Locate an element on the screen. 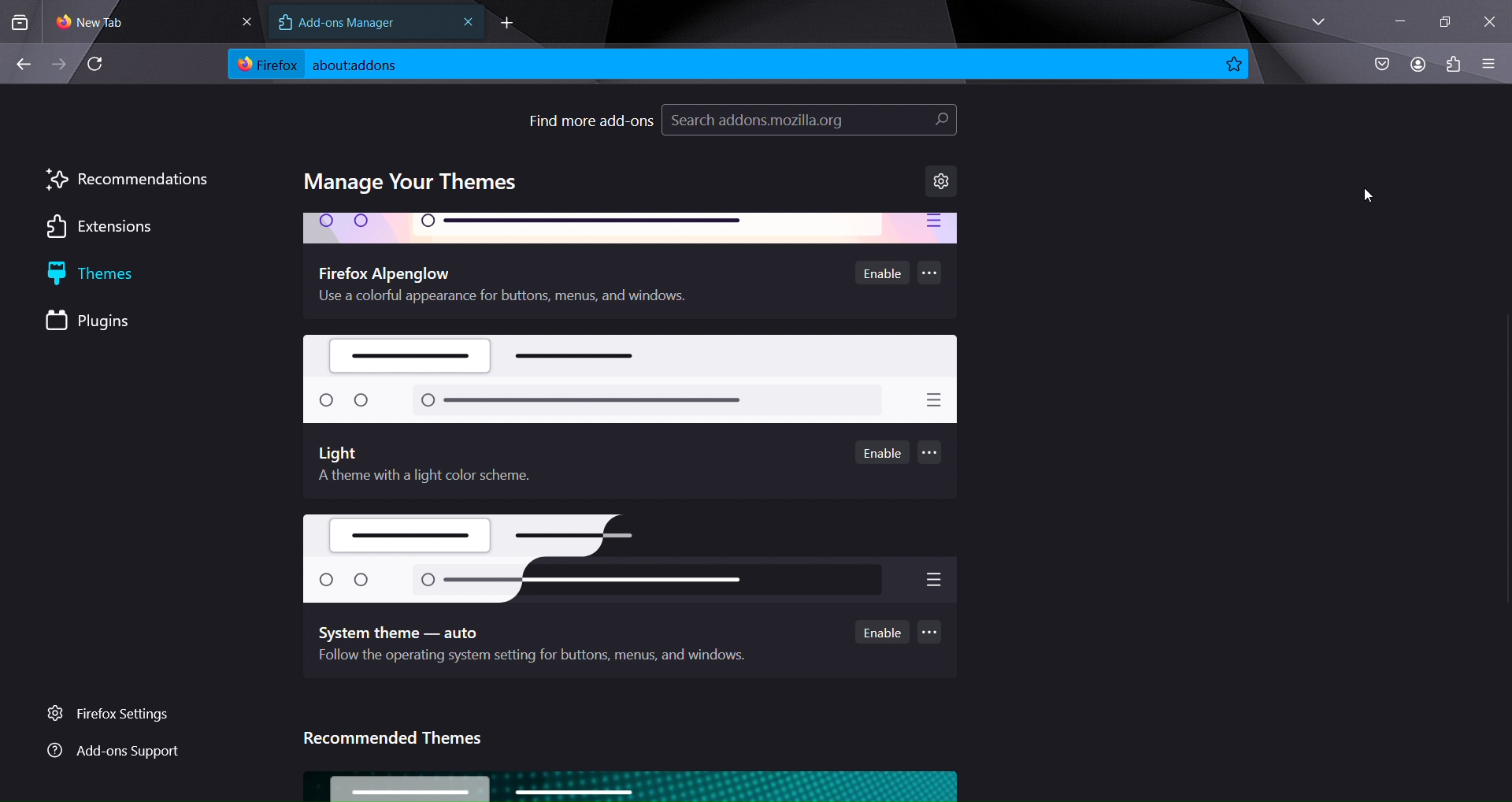 The image size is (1512, 802). ... is located at coordinates (930, 454).